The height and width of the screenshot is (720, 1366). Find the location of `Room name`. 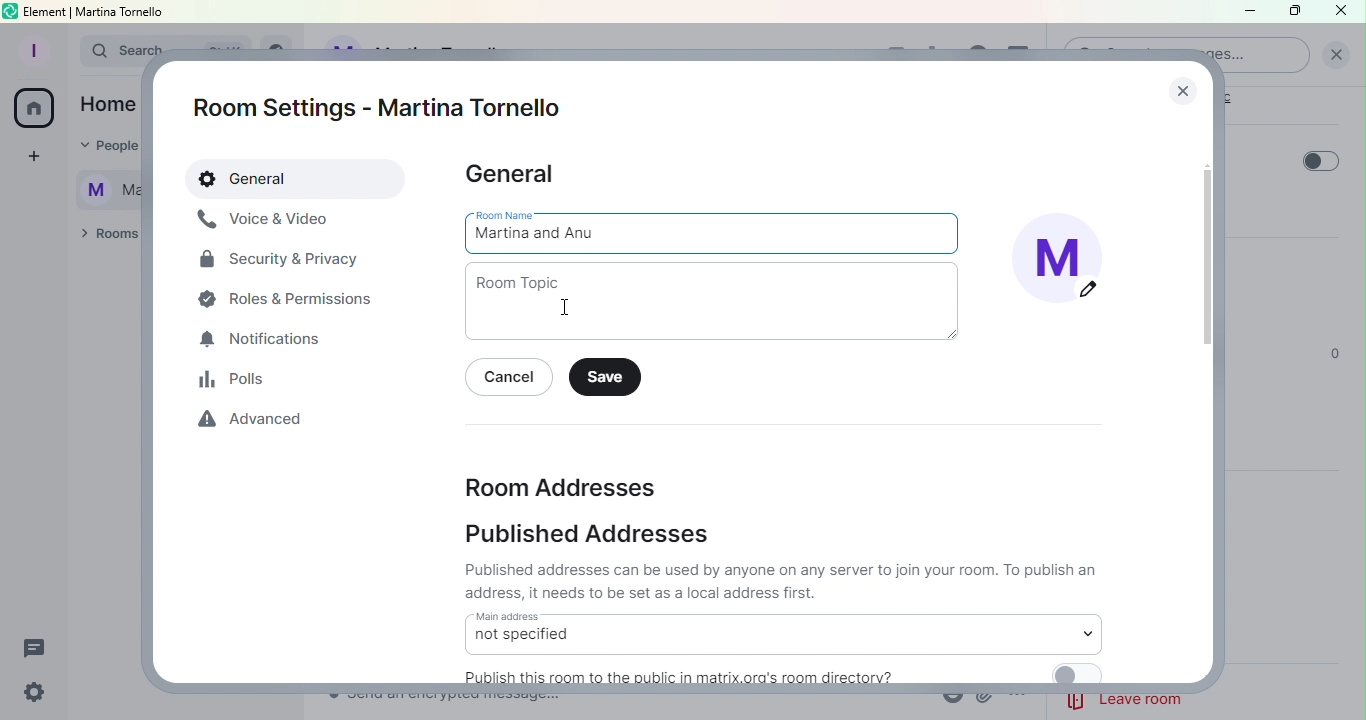

Room name is located at coordinates (715, 232).